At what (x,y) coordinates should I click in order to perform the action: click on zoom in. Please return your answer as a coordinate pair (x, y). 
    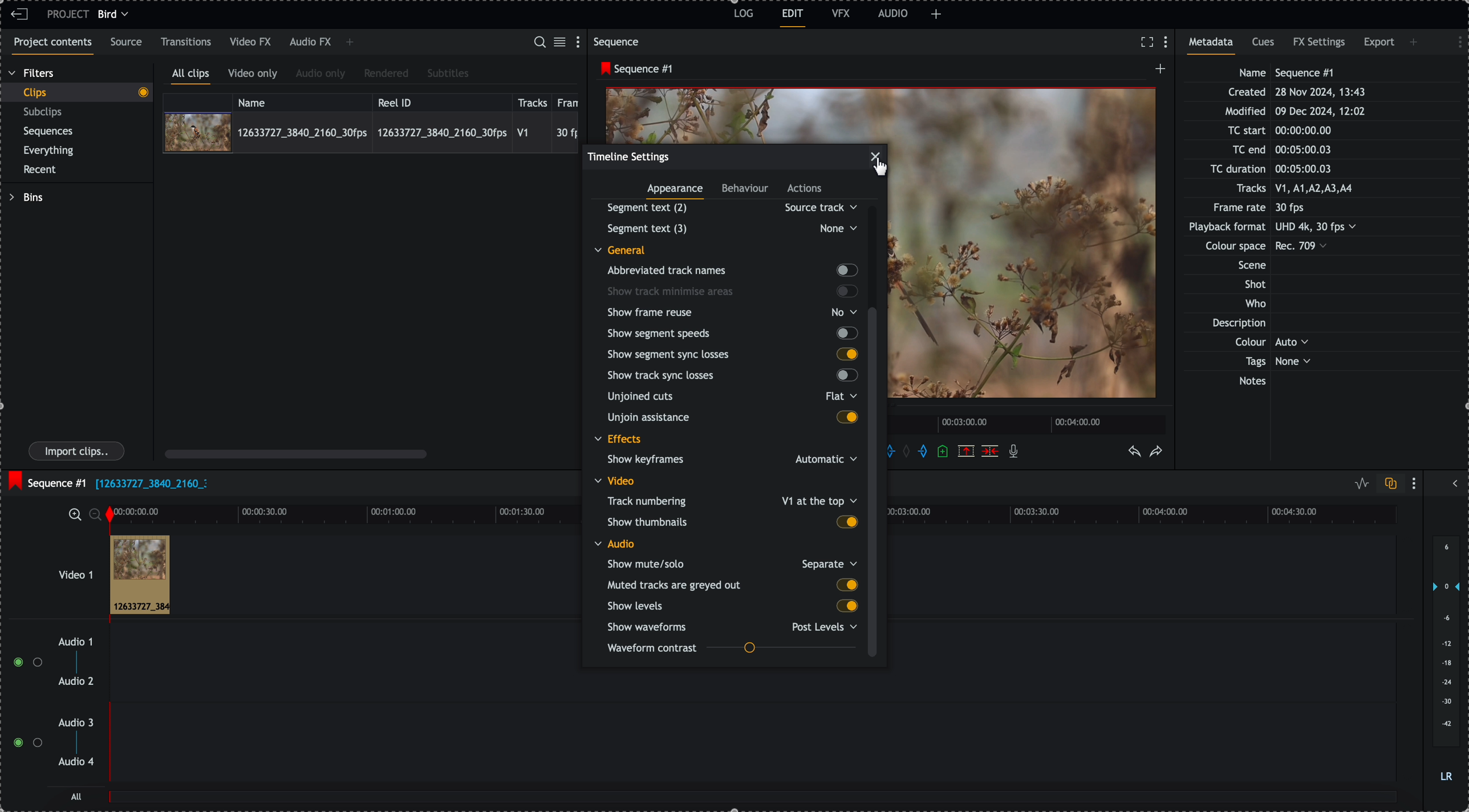
    Looking at the image, I should click on (74, 514).